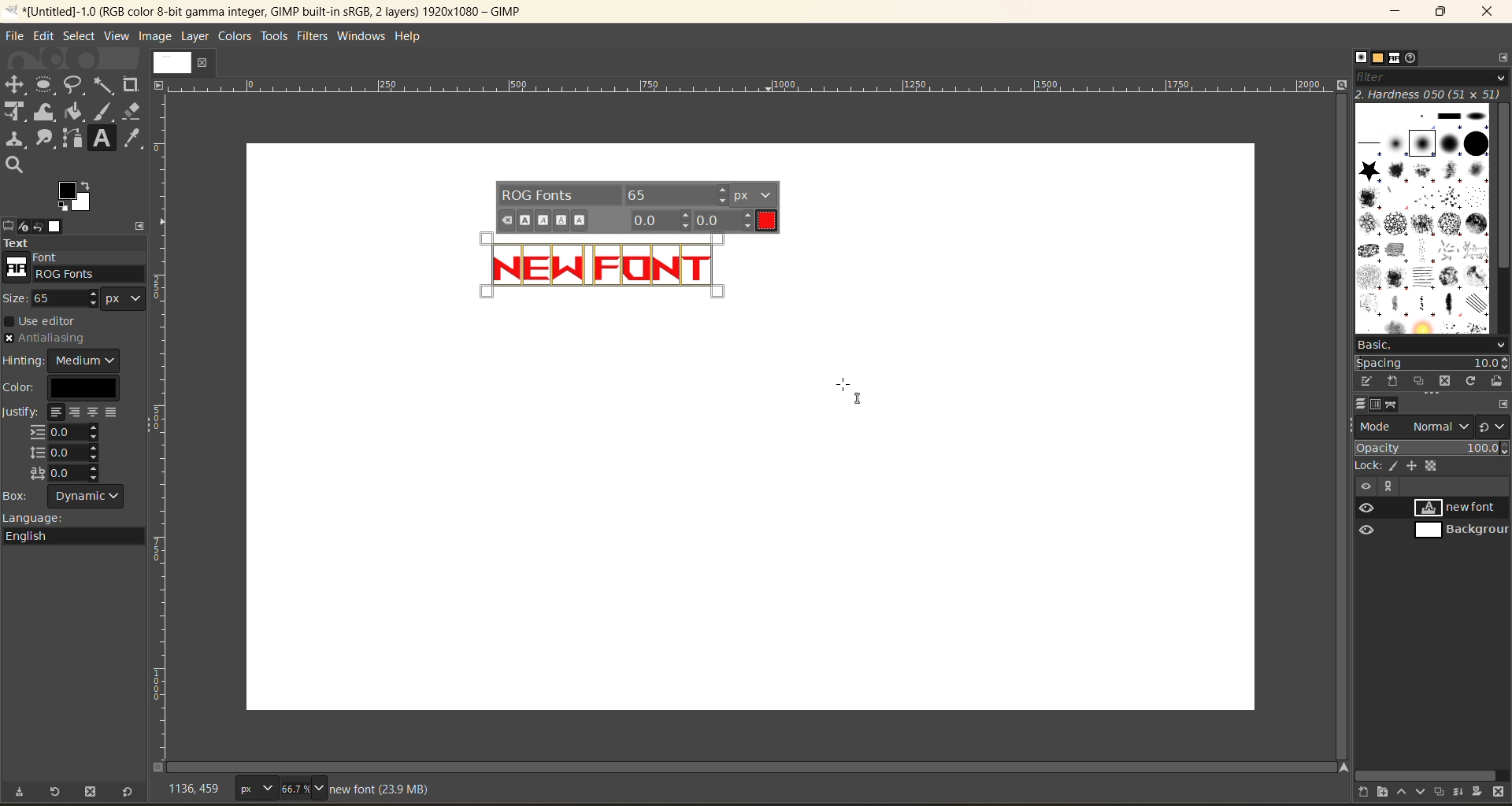  I want to click on preview, so click(1369, 520).